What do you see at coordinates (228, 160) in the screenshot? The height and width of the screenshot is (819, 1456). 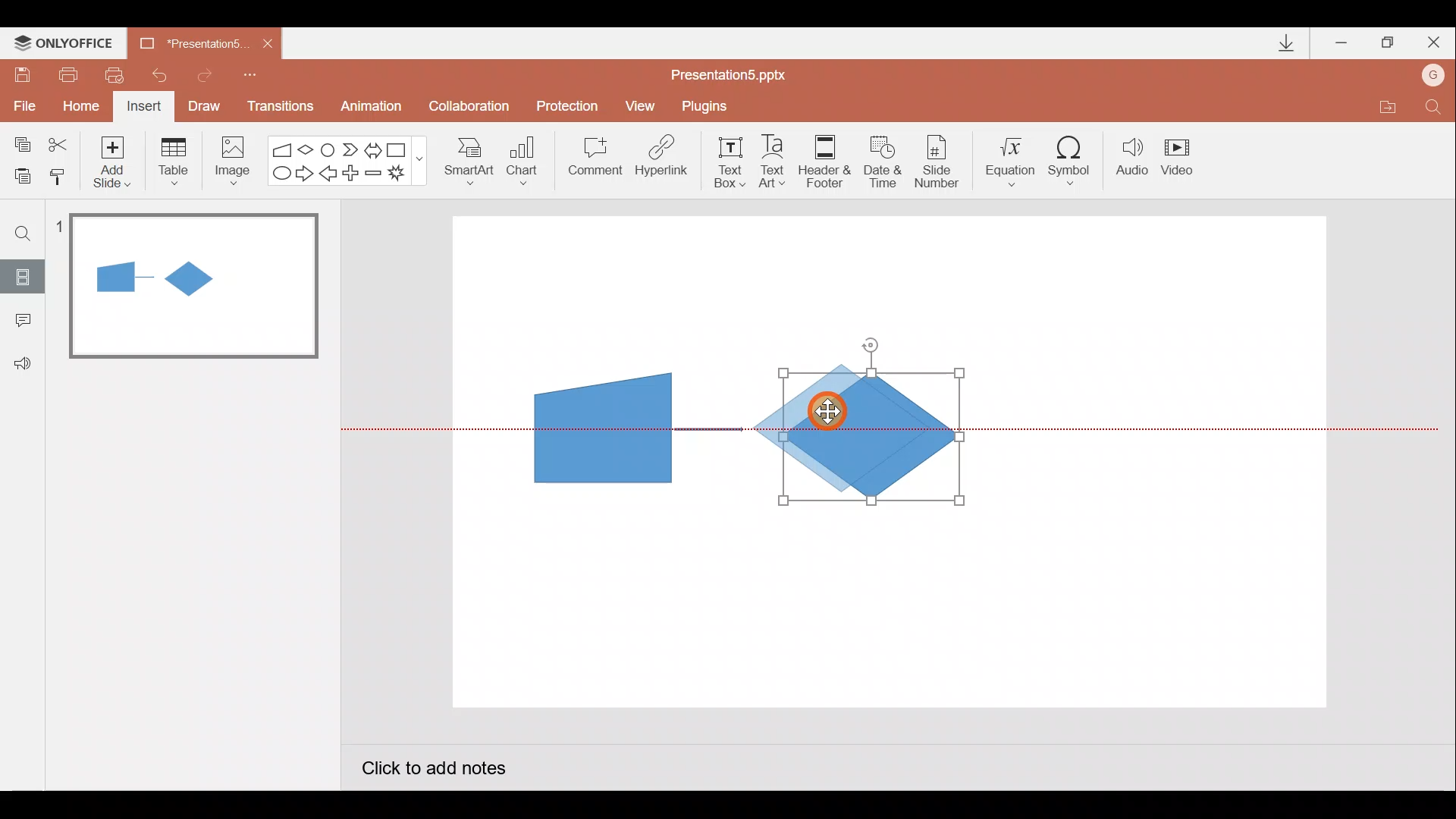 I see `Image` at bounding box center [228, 160].